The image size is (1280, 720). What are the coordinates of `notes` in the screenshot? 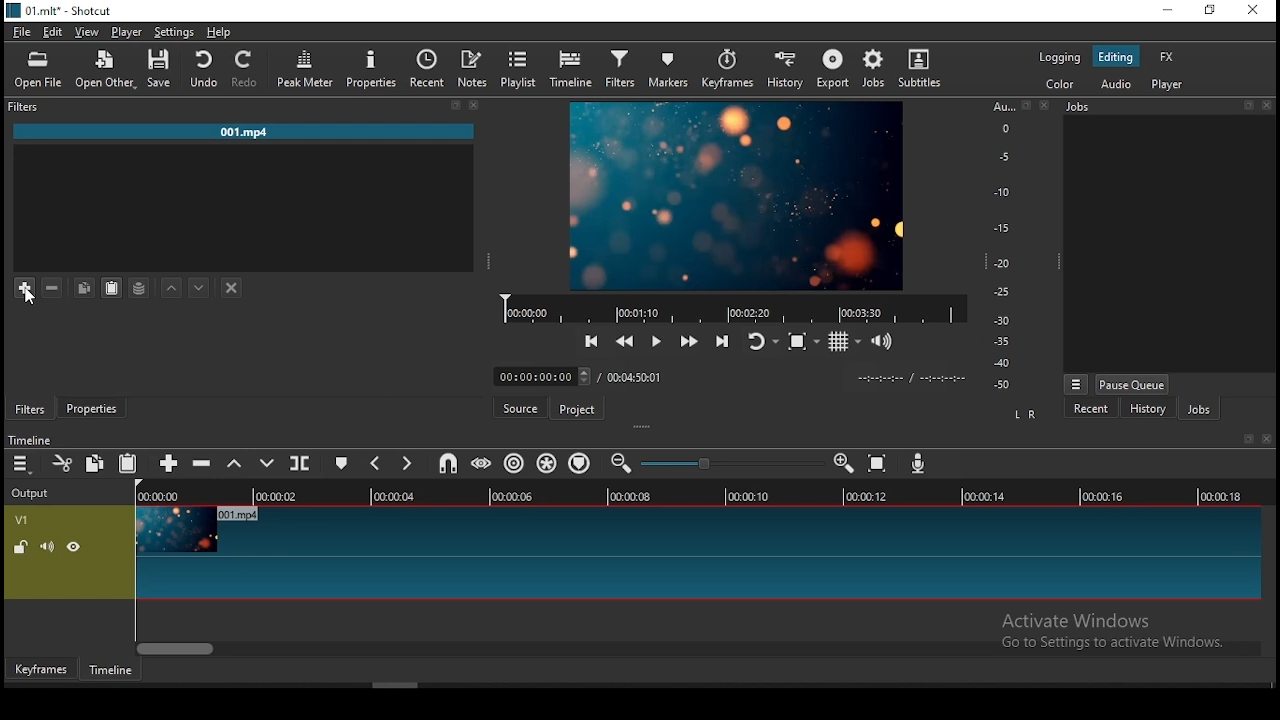 It's located at (472, 68).